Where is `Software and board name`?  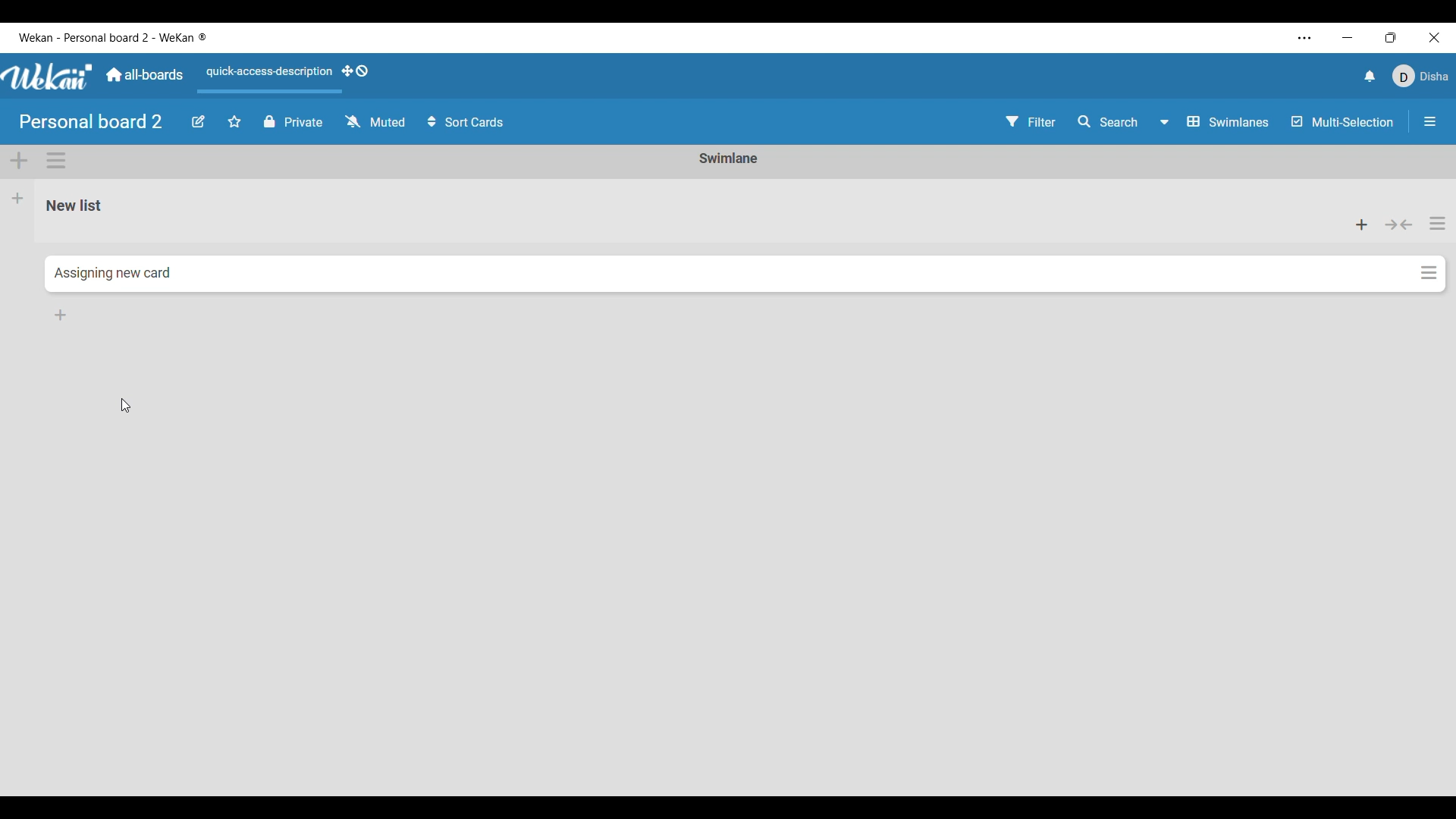 Software and board name is located at coordinates (112, 38).